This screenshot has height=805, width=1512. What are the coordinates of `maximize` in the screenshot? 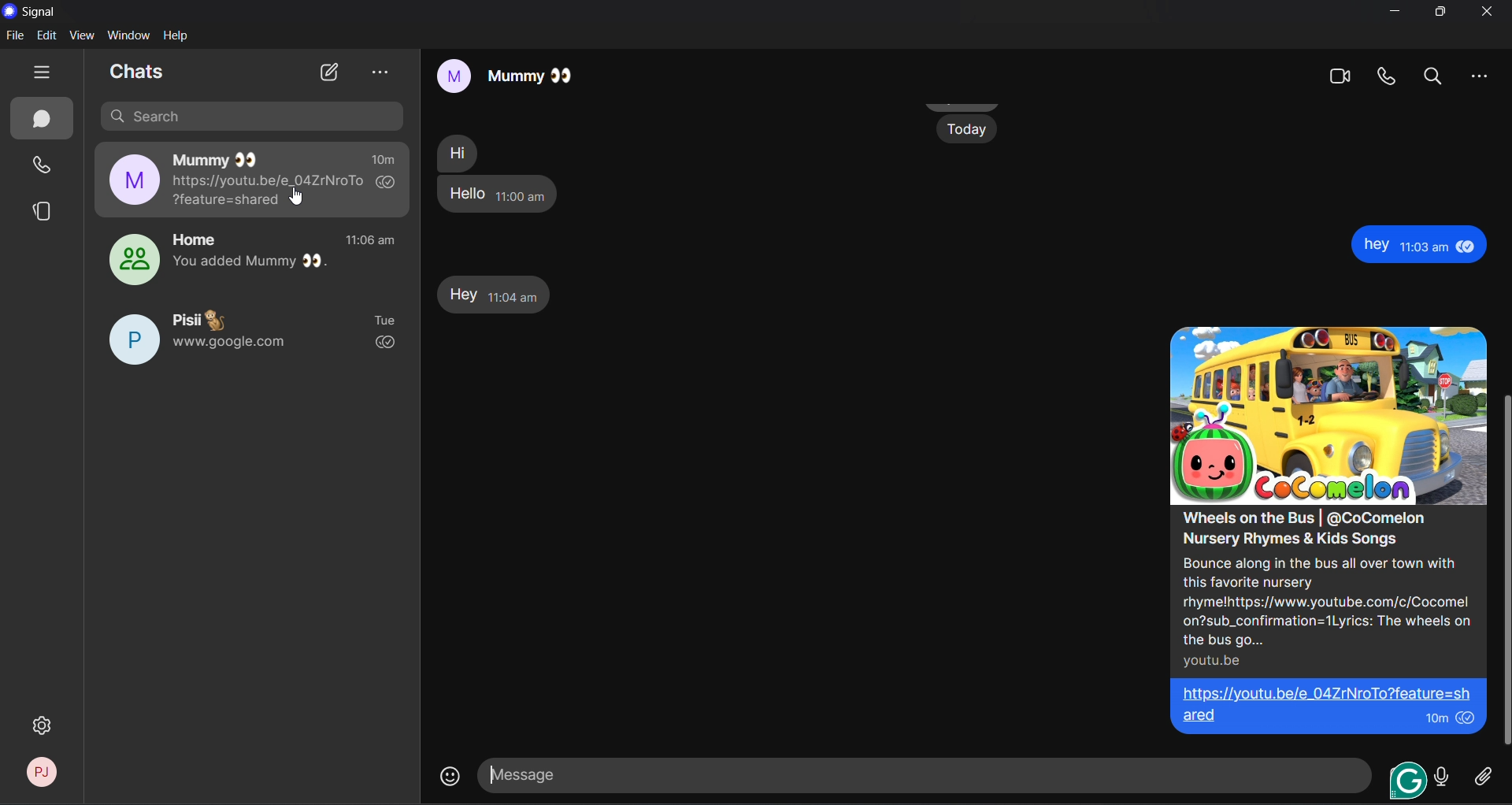 It's located at (1436, 14).